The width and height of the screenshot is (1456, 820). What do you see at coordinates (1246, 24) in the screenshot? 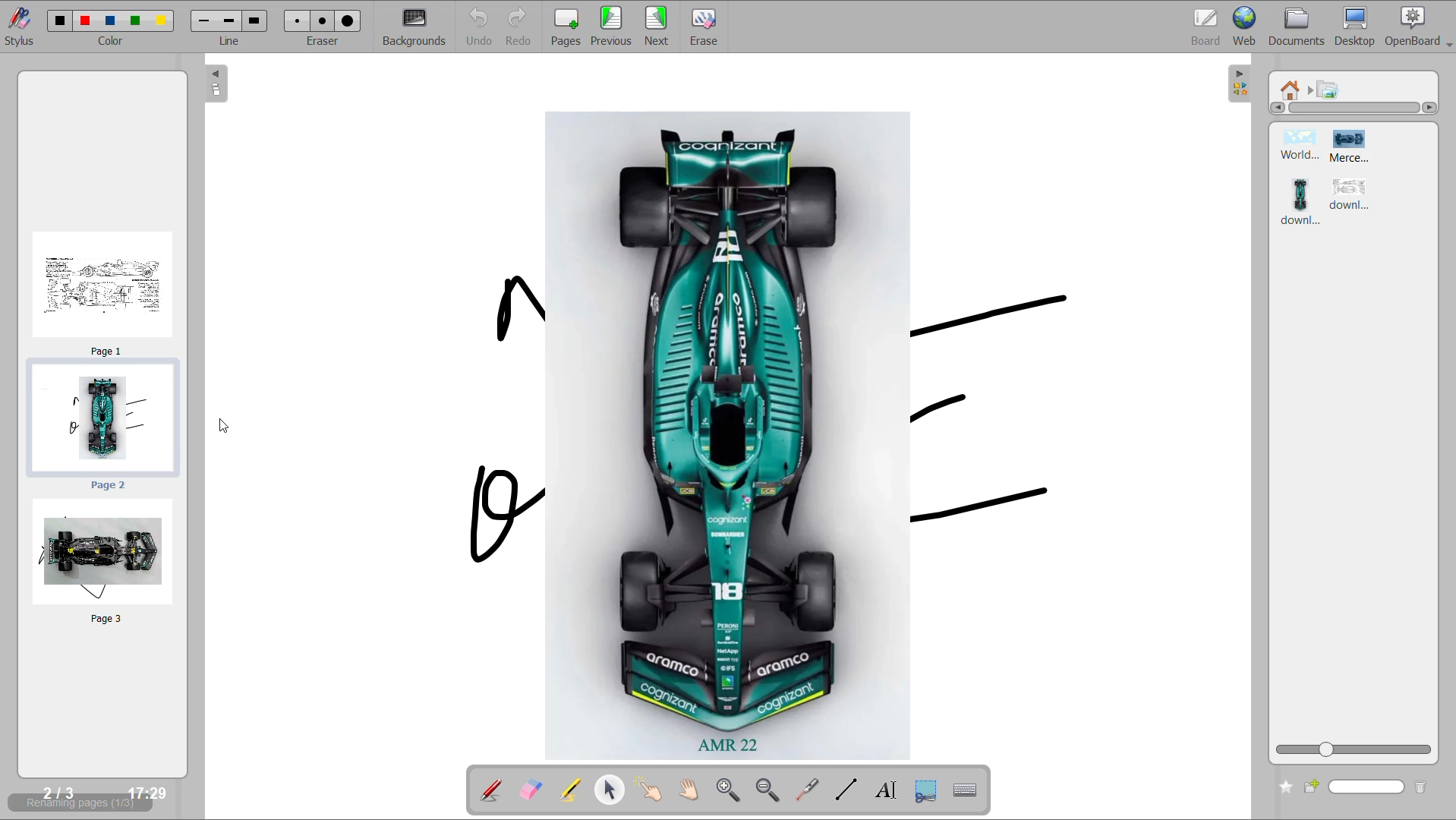
I see `web` at bounding box center [1246, 24].